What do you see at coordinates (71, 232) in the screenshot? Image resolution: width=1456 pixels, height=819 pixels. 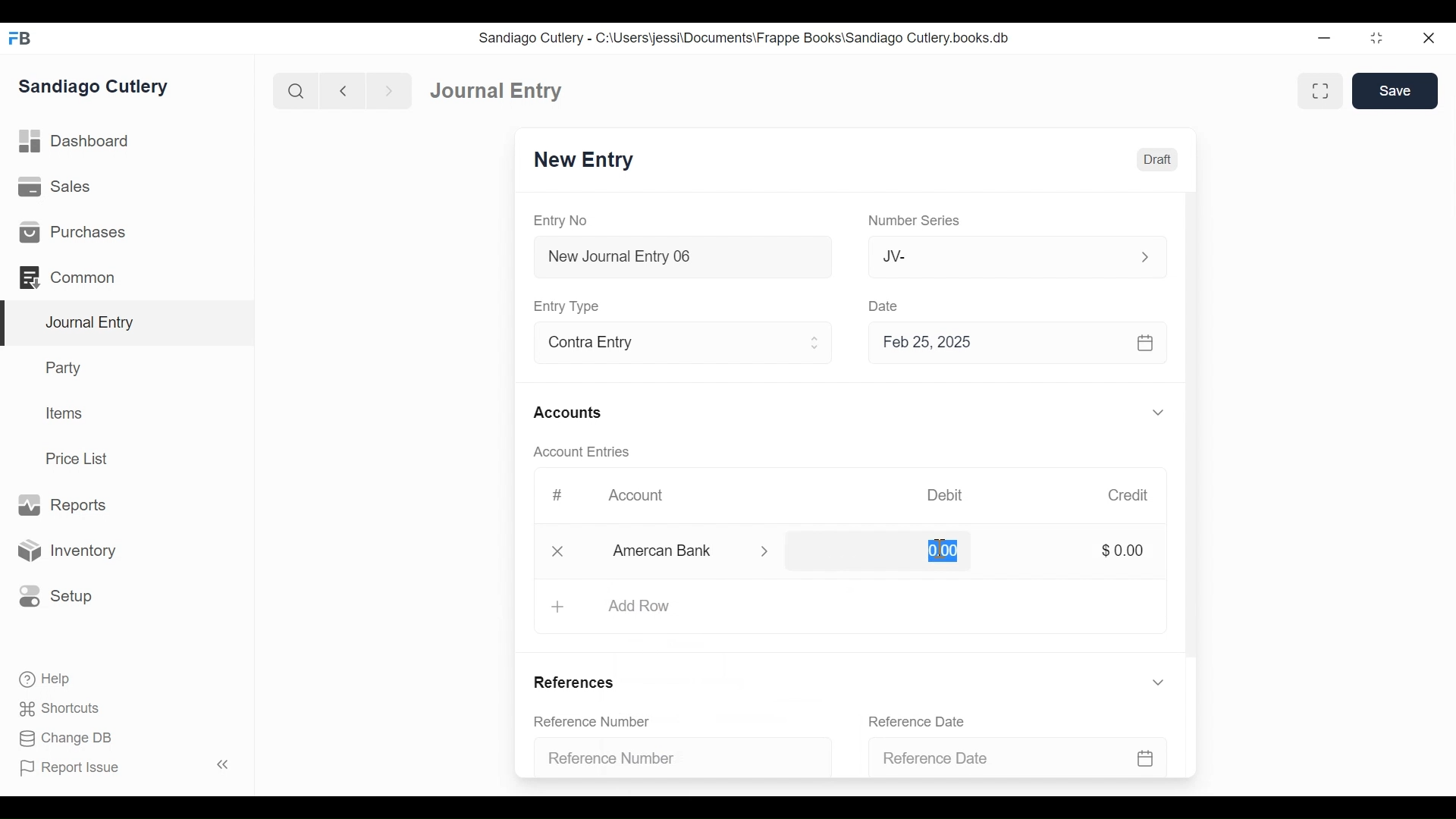 I see `Purchases` at bounding box center [71, 232].